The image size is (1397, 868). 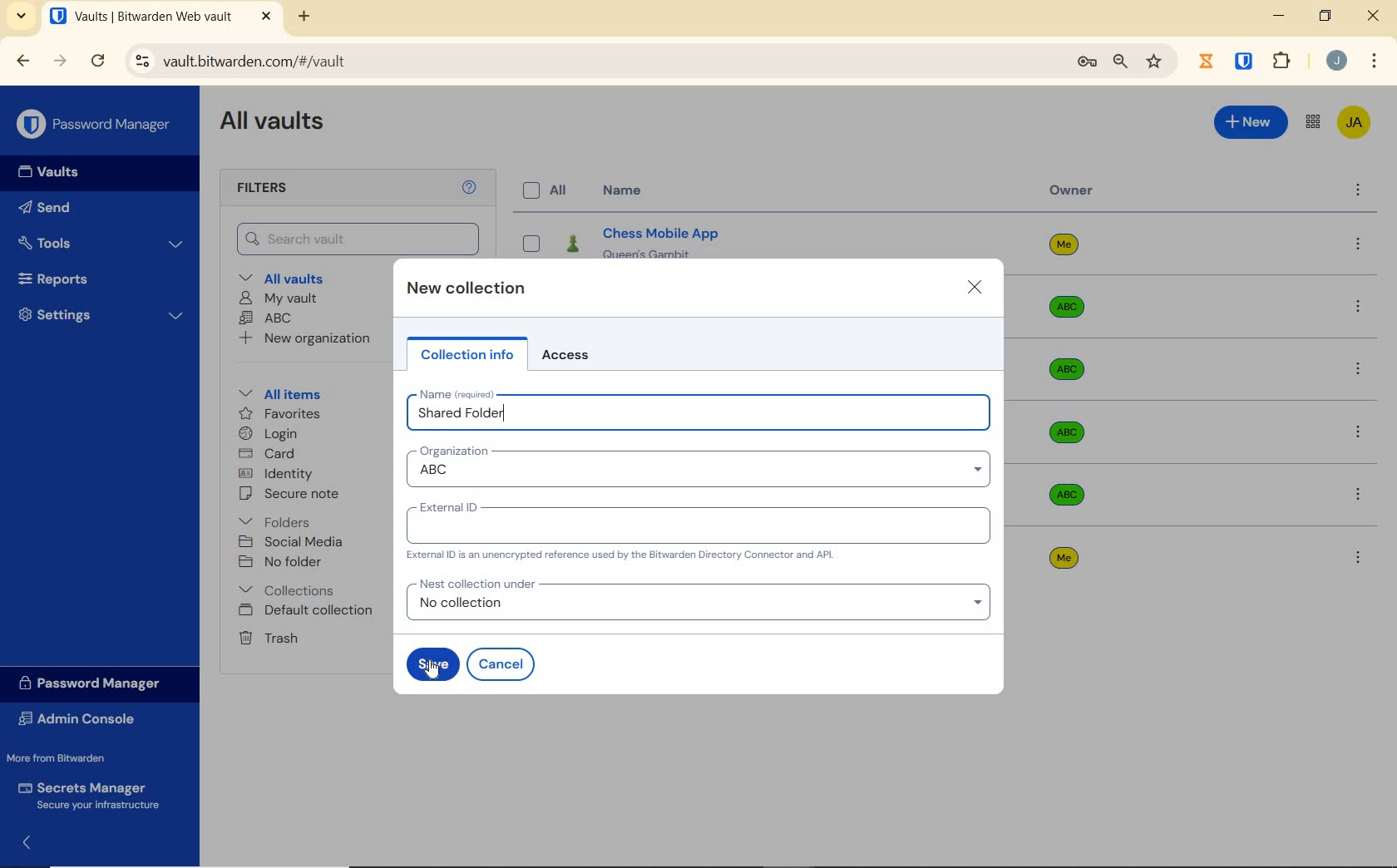 What do you see at coordinates (432, 663) in the screenshot?
I see `save` at bounding box center [432, 663].